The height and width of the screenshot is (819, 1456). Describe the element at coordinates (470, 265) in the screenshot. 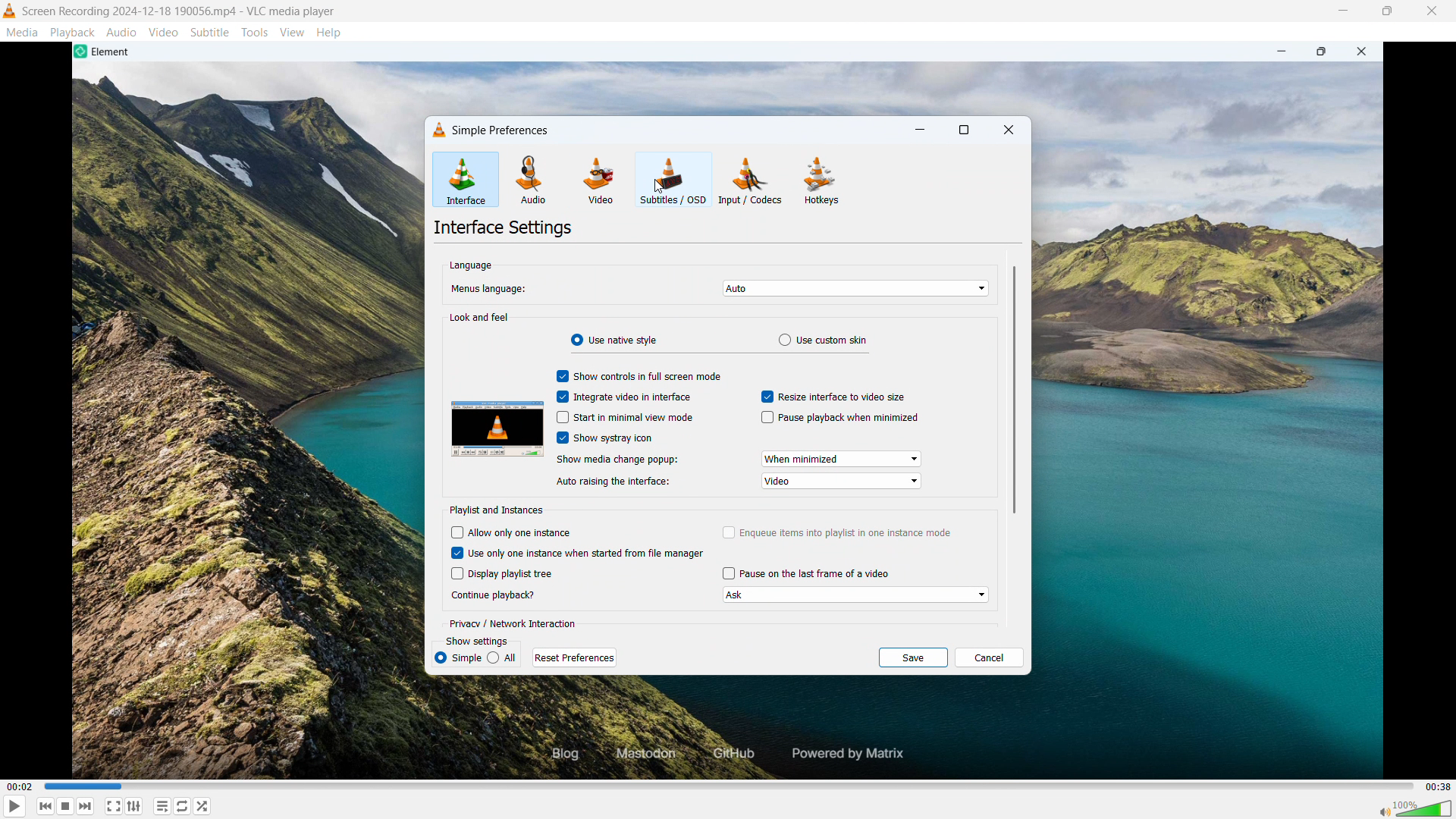

I see `Language ` at that location.